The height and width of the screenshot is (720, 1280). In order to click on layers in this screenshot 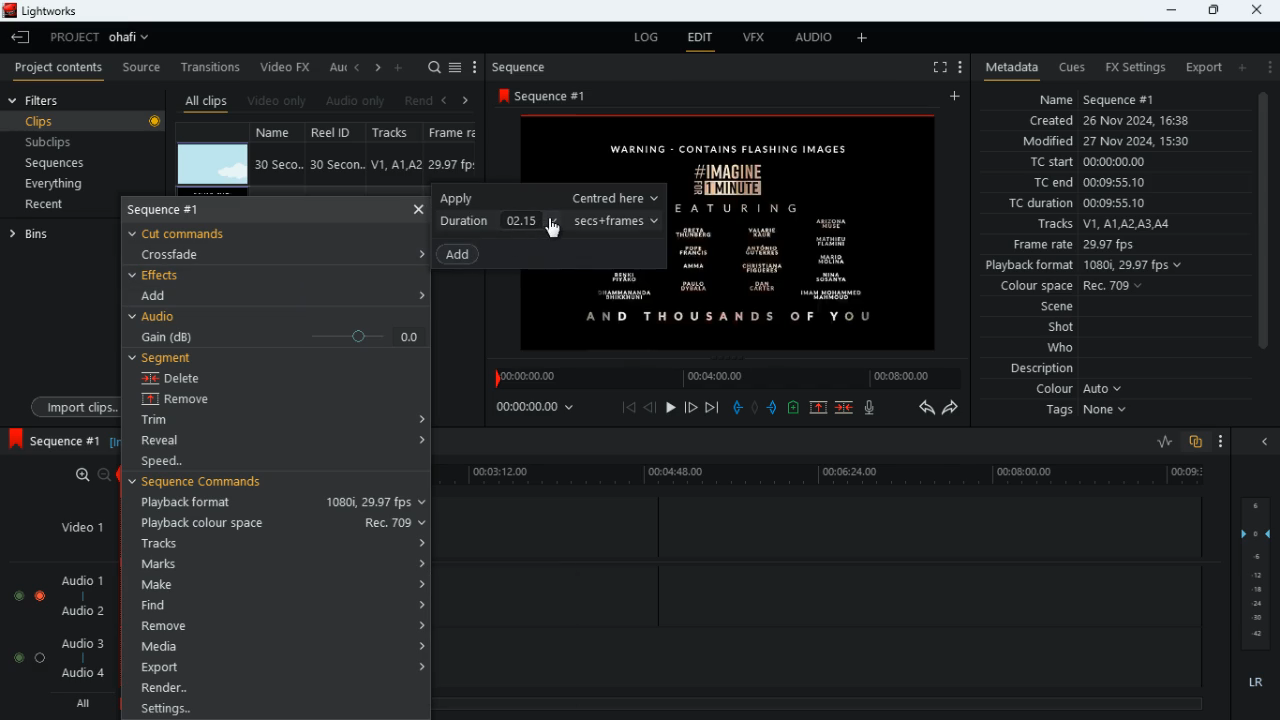, I will do `click(1259, 573)`.